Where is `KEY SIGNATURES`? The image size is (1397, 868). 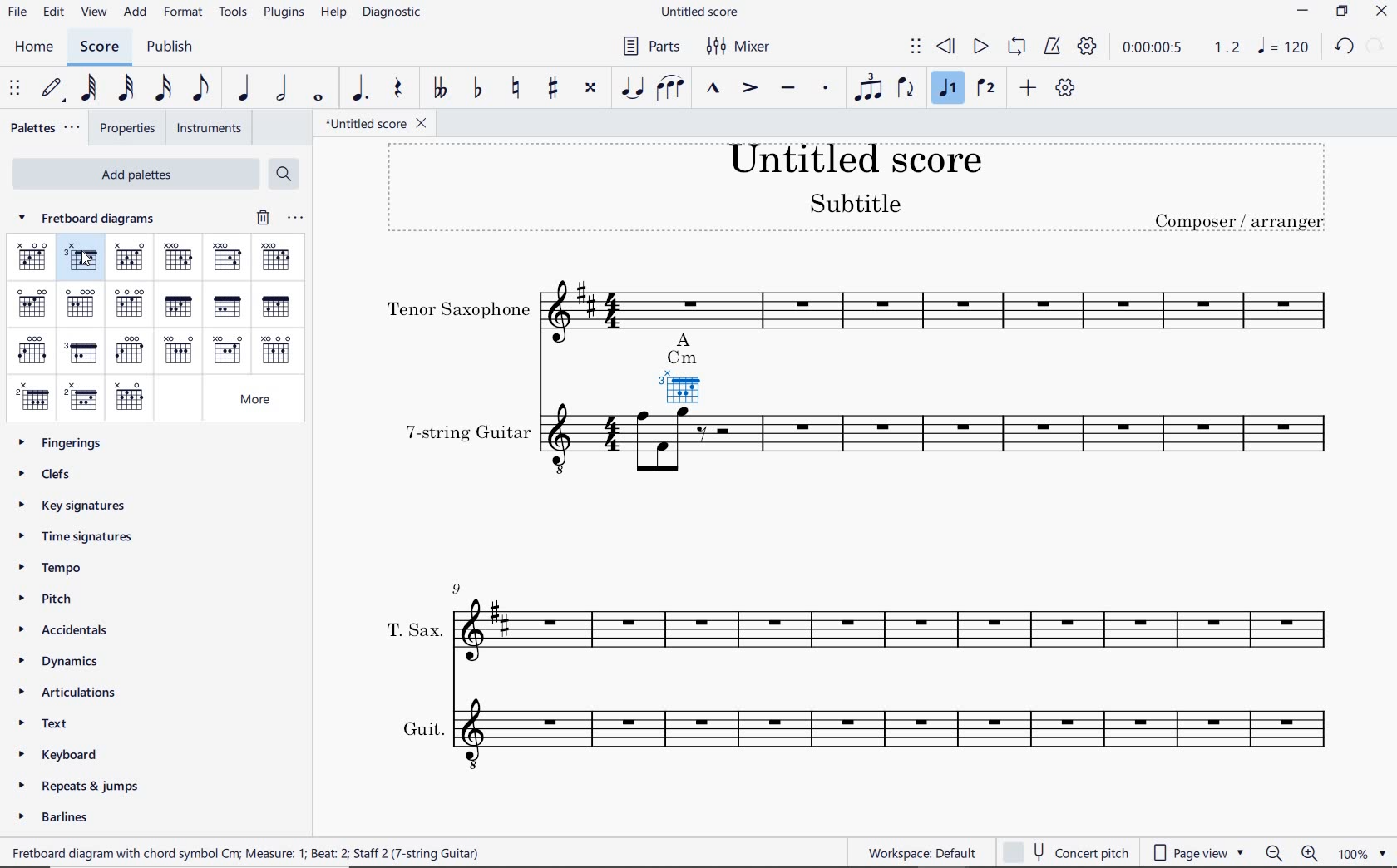
KEY SIGNATURES is located at coordinates (80, 508).